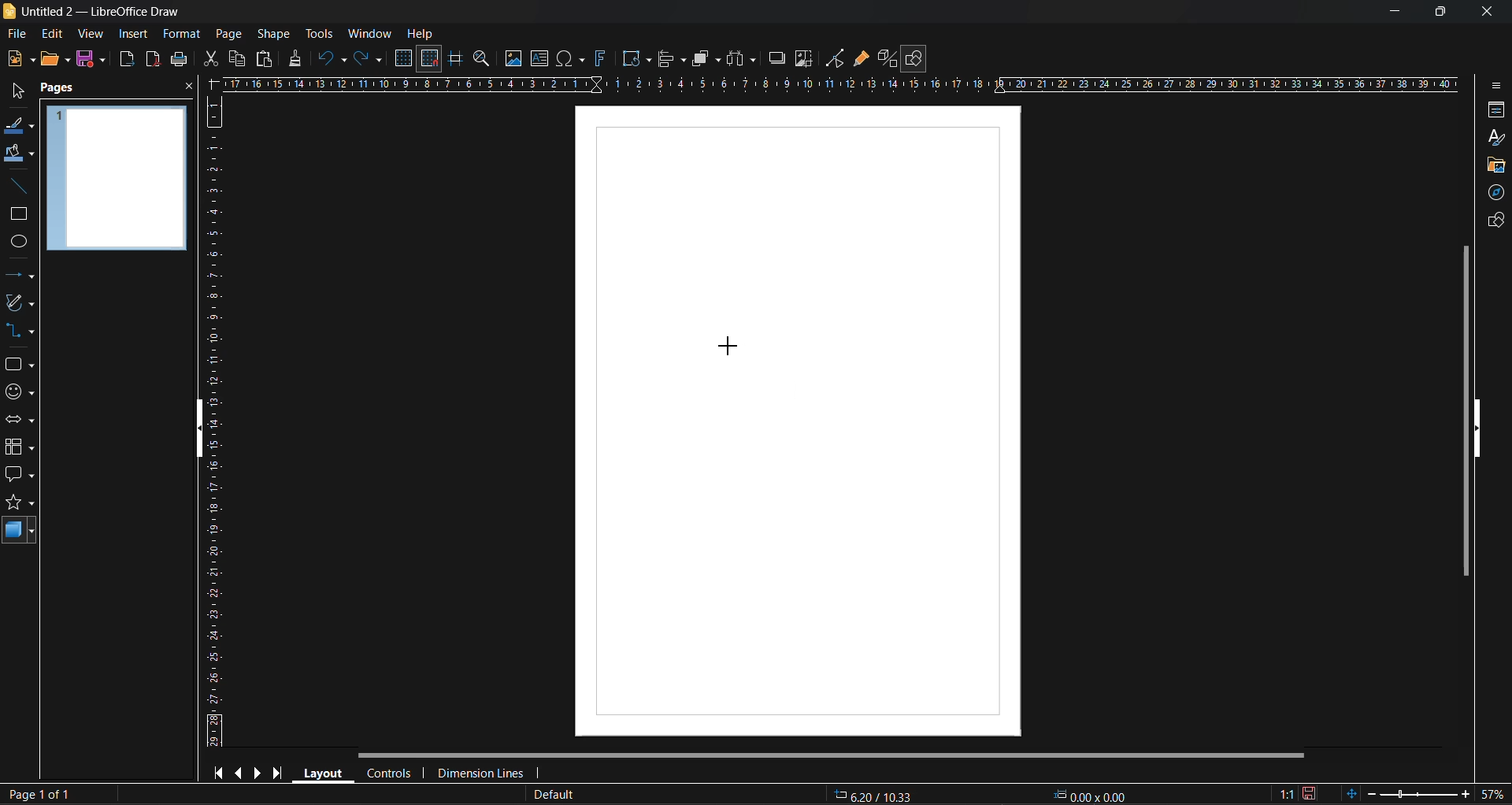 The image size is (1512, 805). What do you see at coordinates (458, 61) in the screenshot?
I see `helplines` at bounding box center [458, 61].